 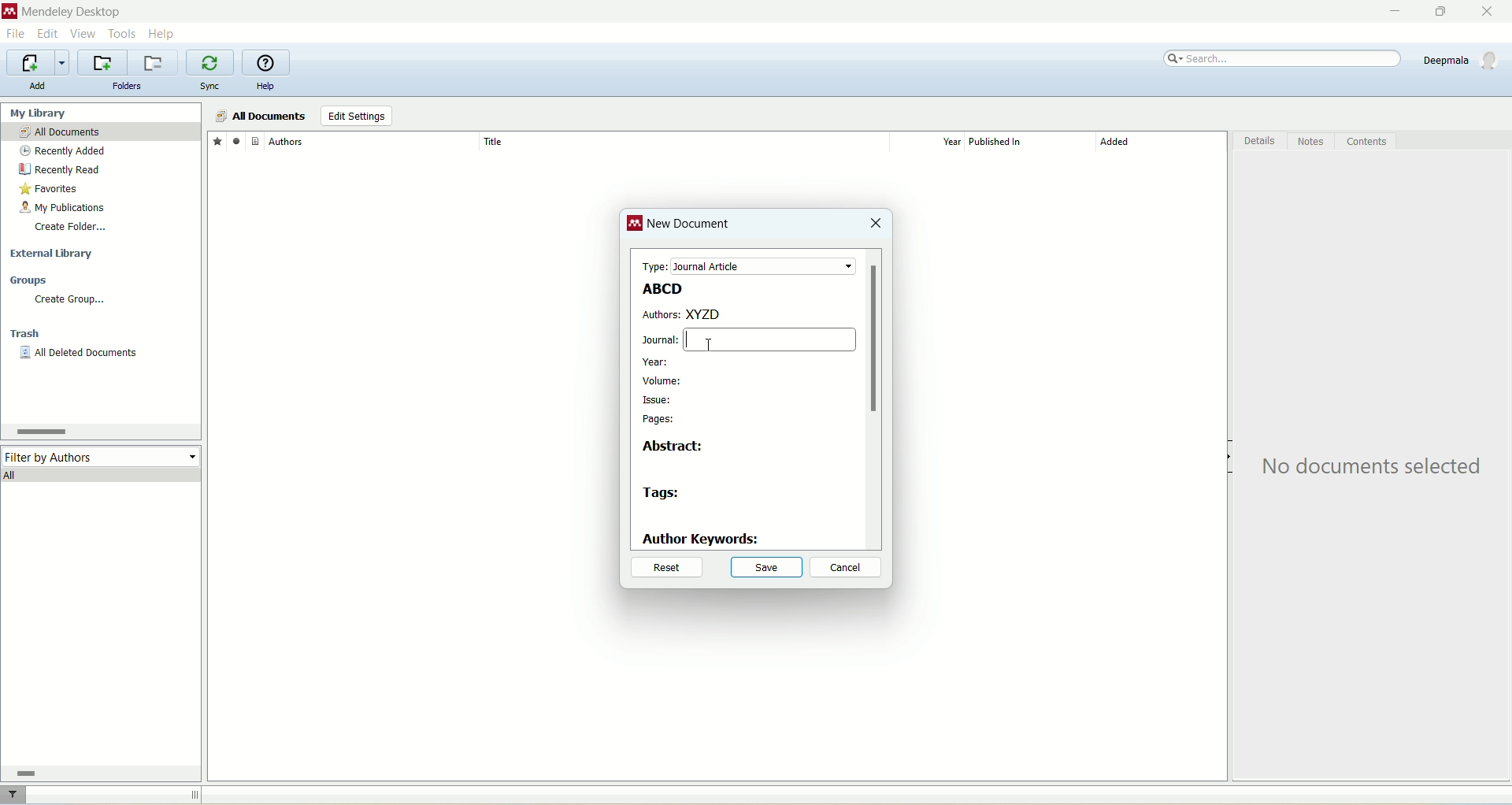 What do you see at coordinates (1162, 146) in the screenshot?
I see `added` at bounding box center [1162, 146].